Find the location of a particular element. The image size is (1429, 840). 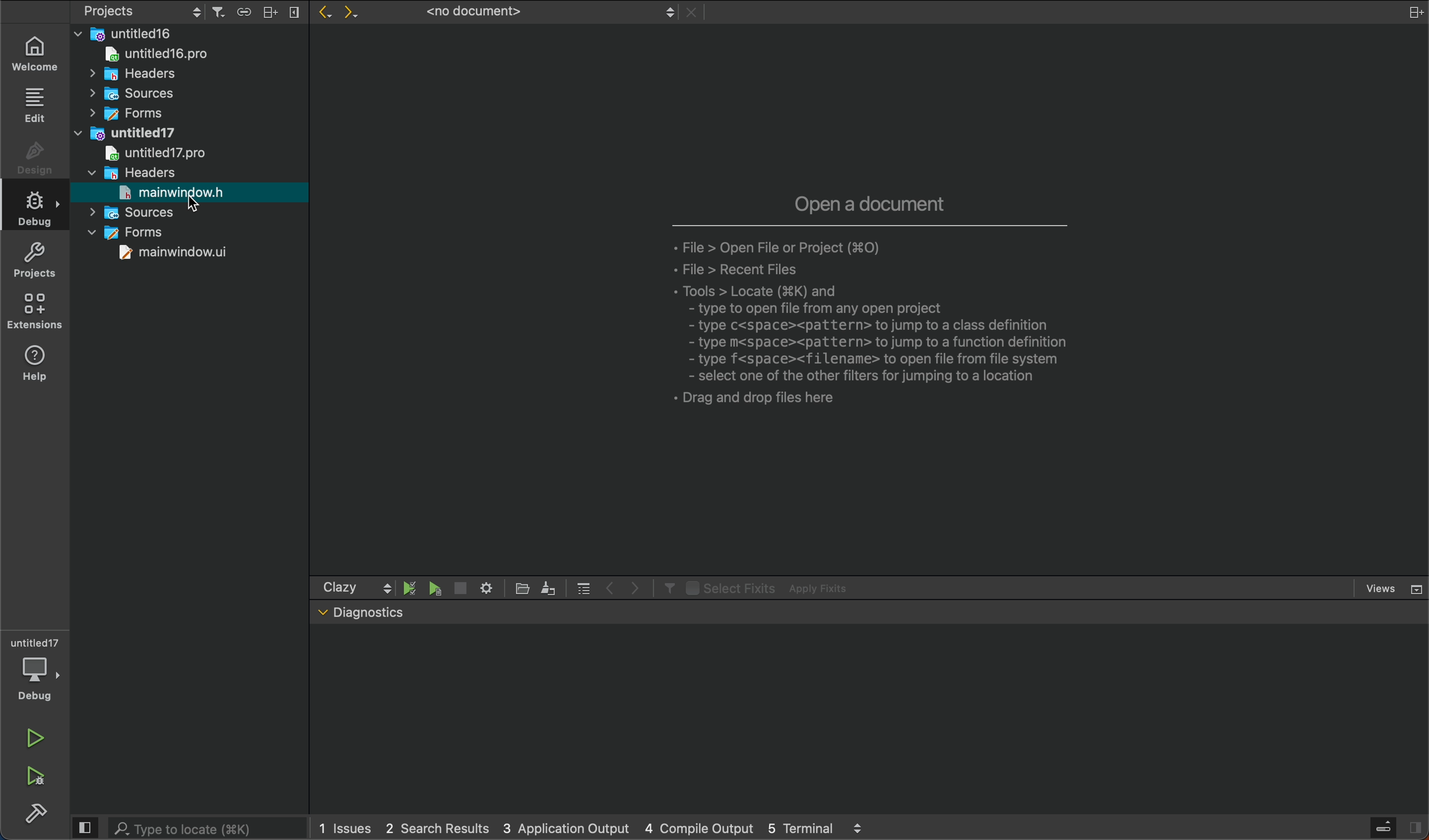

Logs is located at coordinates (859, 828).